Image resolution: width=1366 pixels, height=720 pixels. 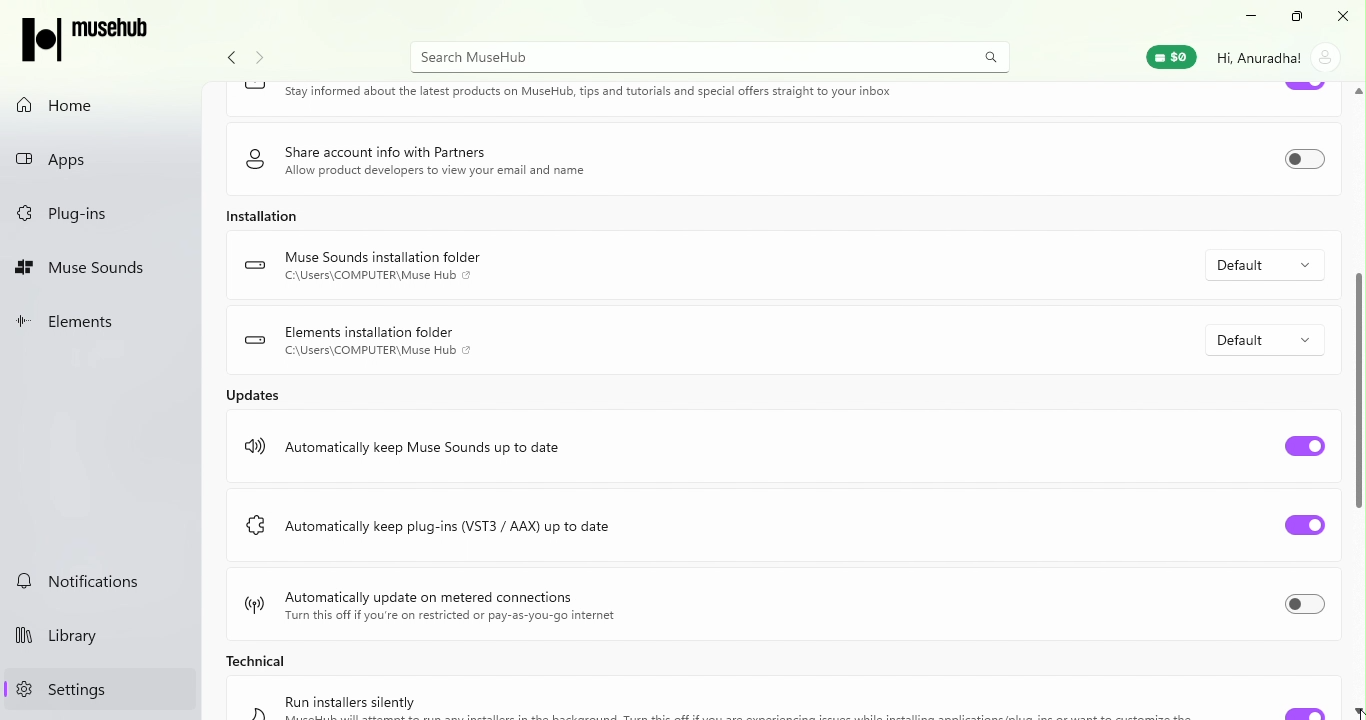 What do you see at coordinates (100, 324) in the screenshot?
I see `Elements` at bounding box center [100, 324].